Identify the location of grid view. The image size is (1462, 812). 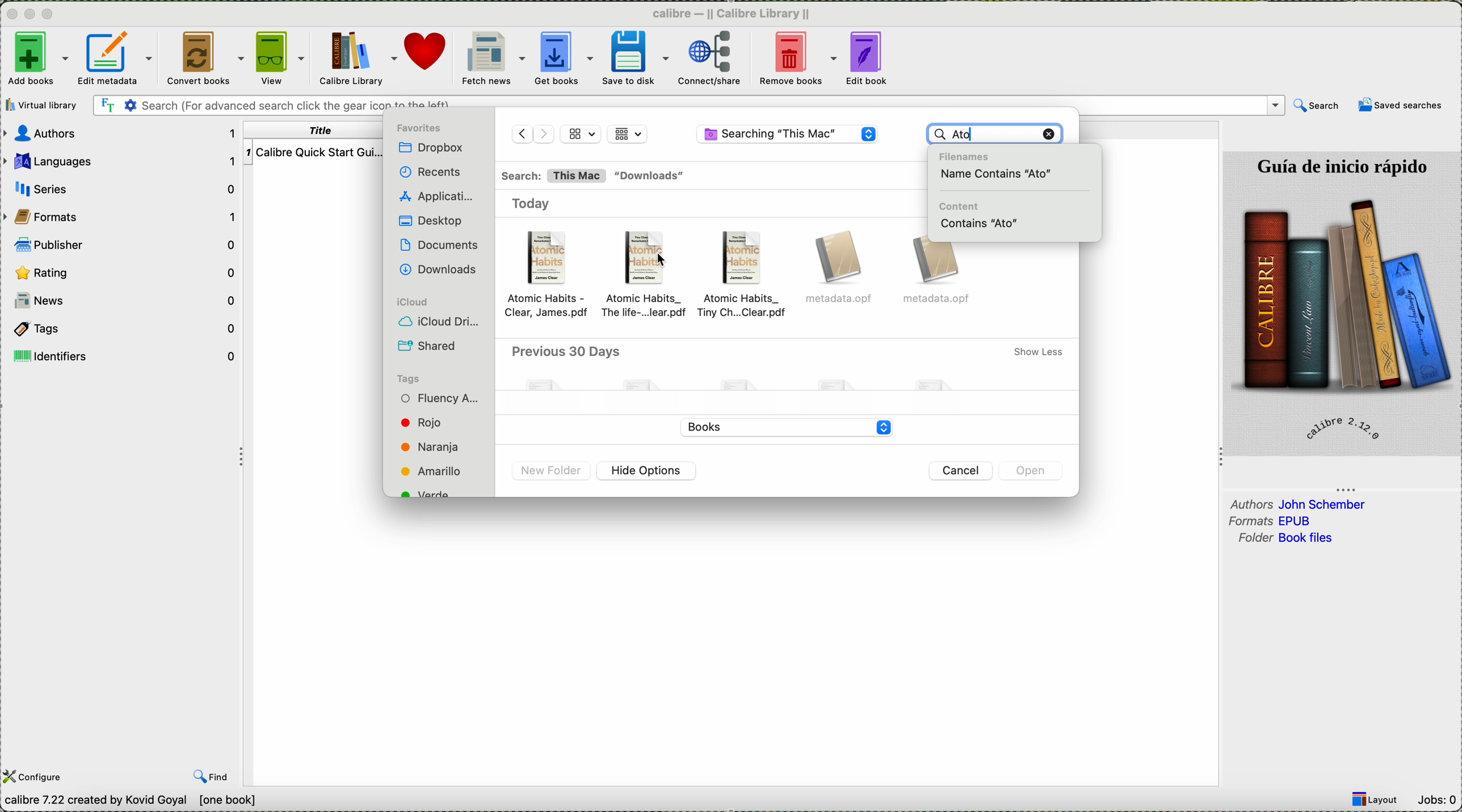
(581, 133).